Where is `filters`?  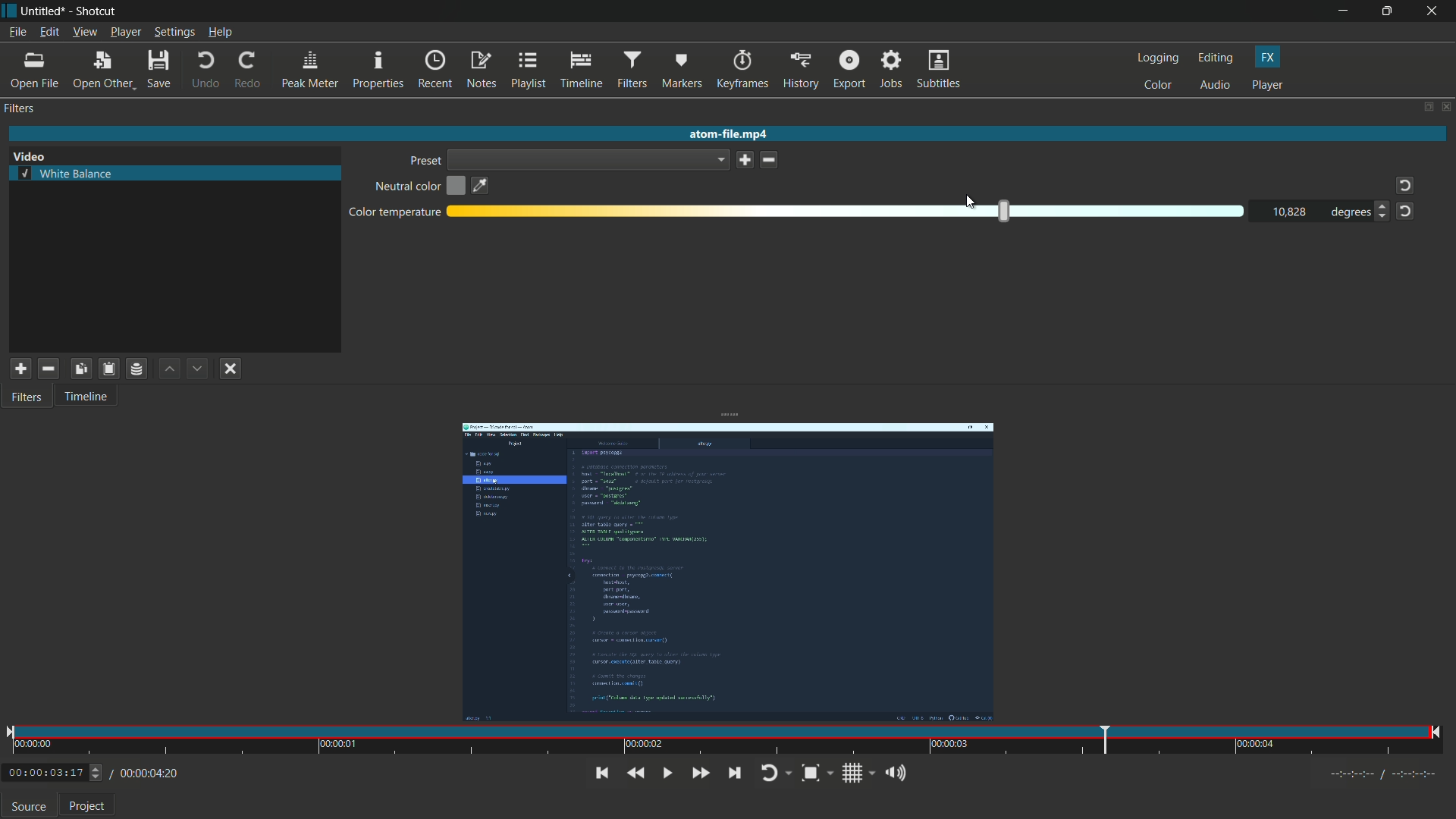 filters is located at coordinates (633, 70).